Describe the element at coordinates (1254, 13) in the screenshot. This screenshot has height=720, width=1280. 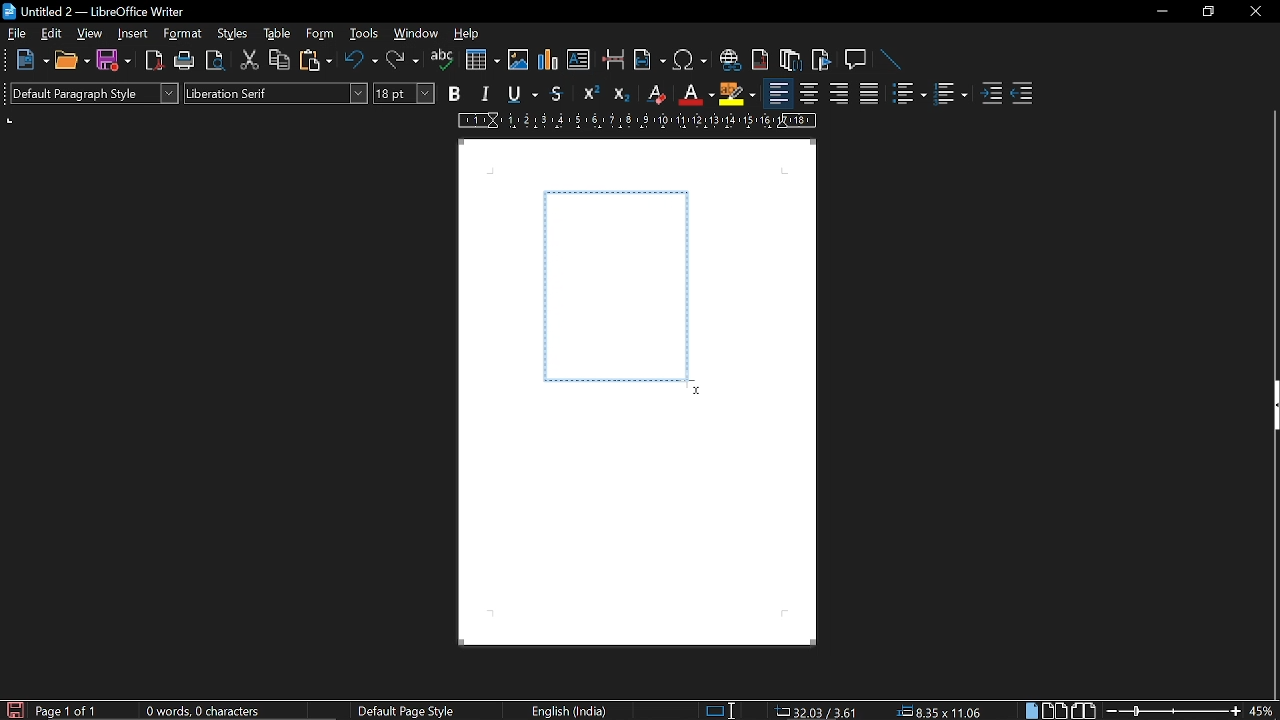
I see `close` at that location.